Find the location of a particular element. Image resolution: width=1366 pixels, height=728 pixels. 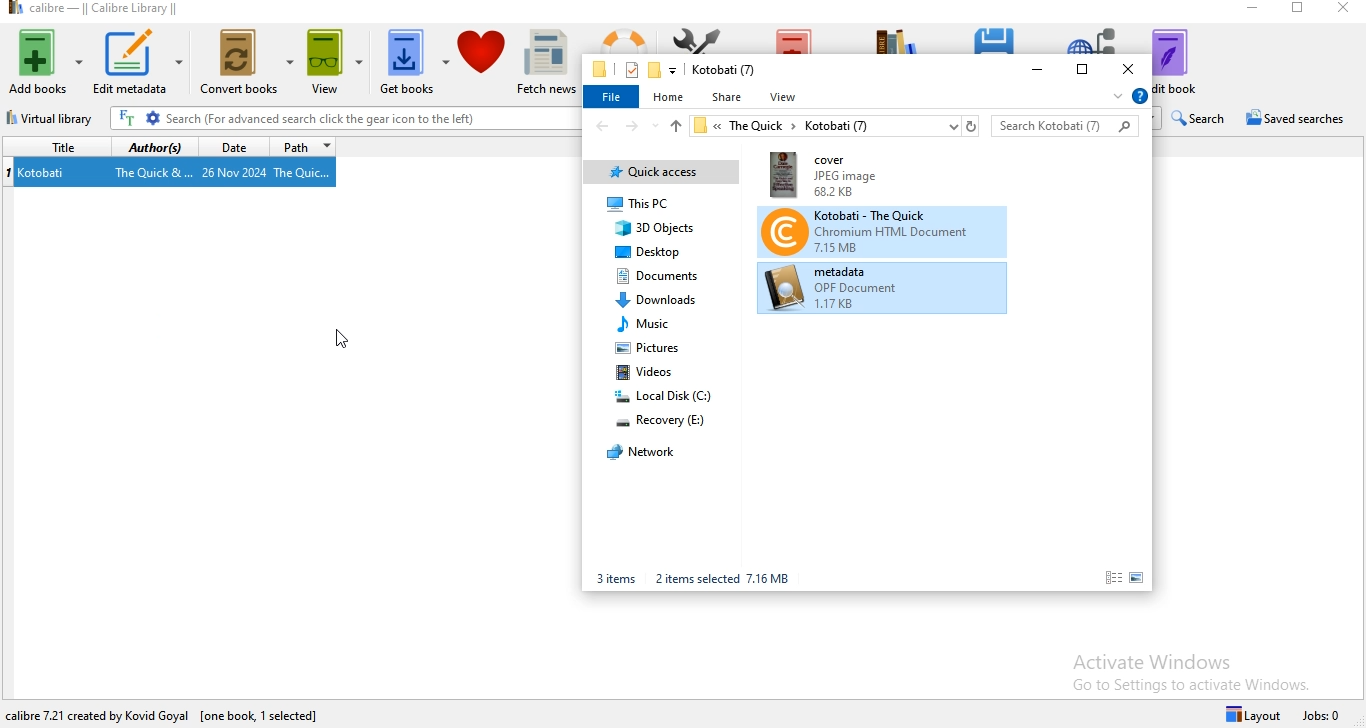

Jobs: 0 is located at coordinates (1324, 714).